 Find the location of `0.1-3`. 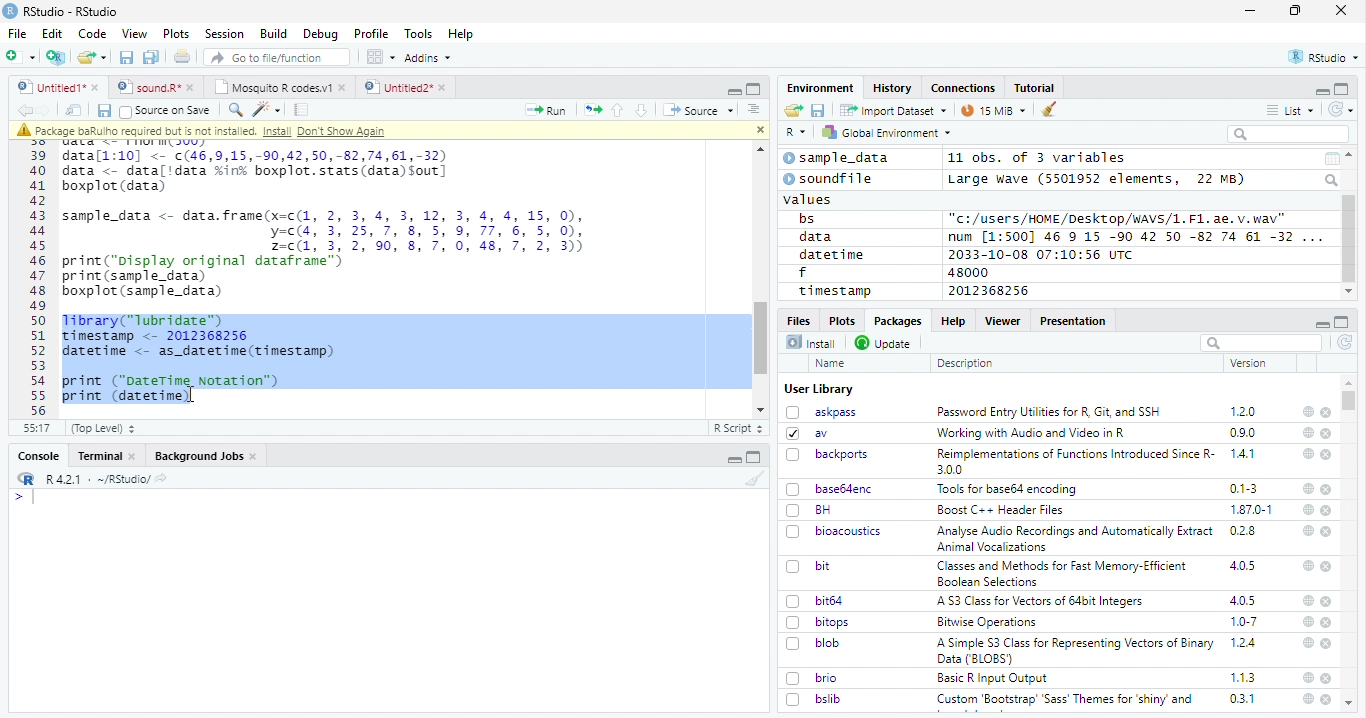

0.1-3 is located at coordinates (1247, 488).